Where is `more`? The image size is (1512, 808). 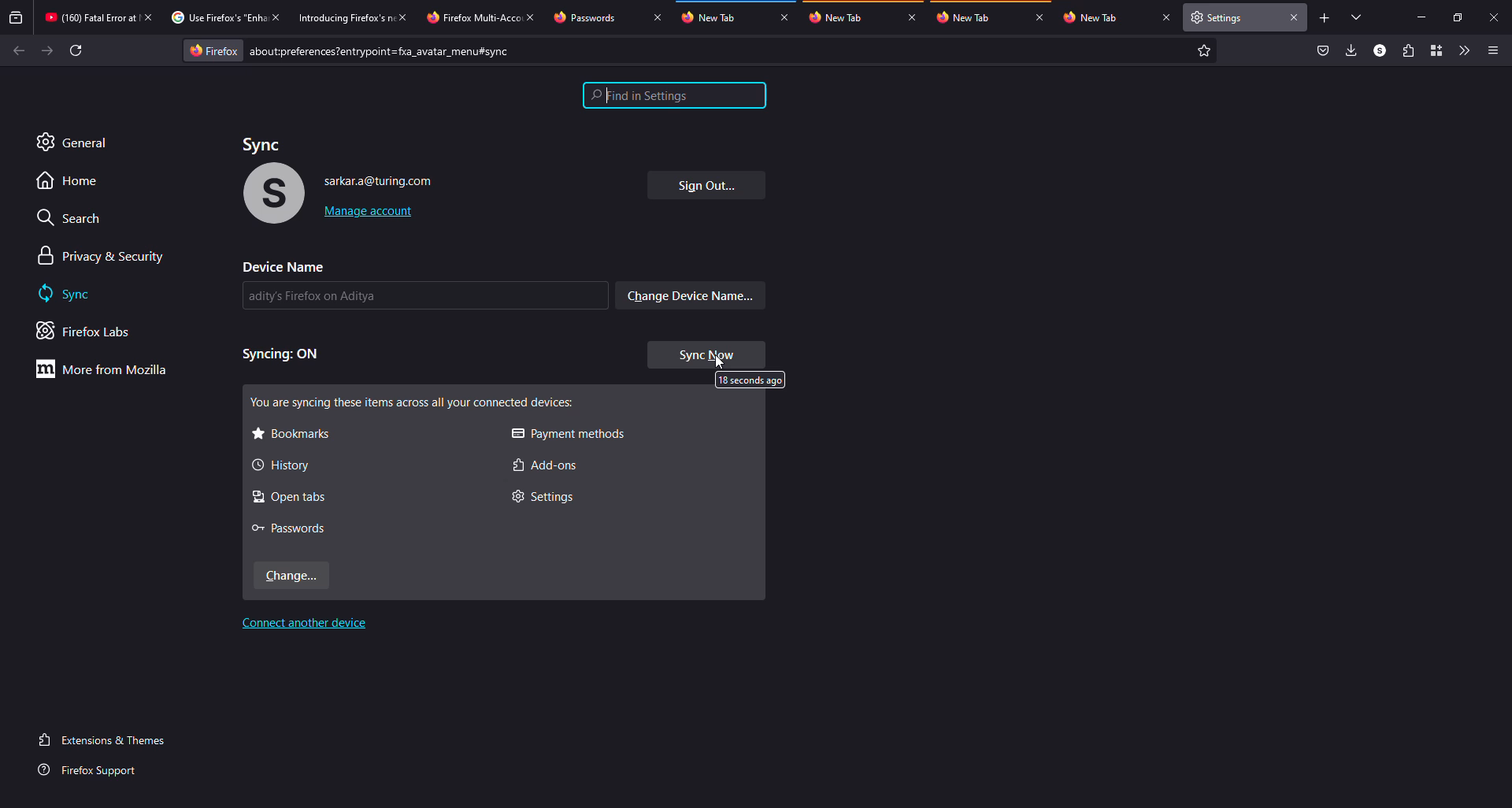
more is located at coordinates (110, 365).